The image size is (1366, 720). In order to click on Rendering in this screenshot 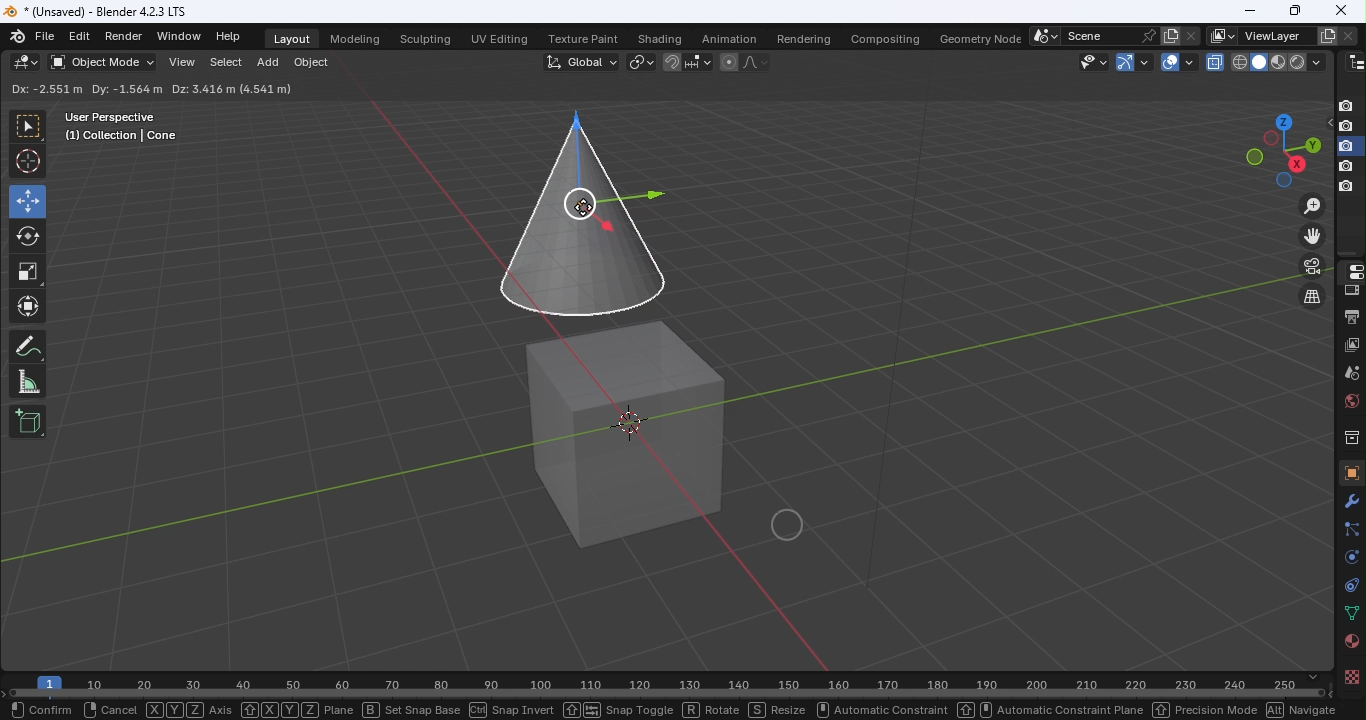, I will do `click(799, 36)`.